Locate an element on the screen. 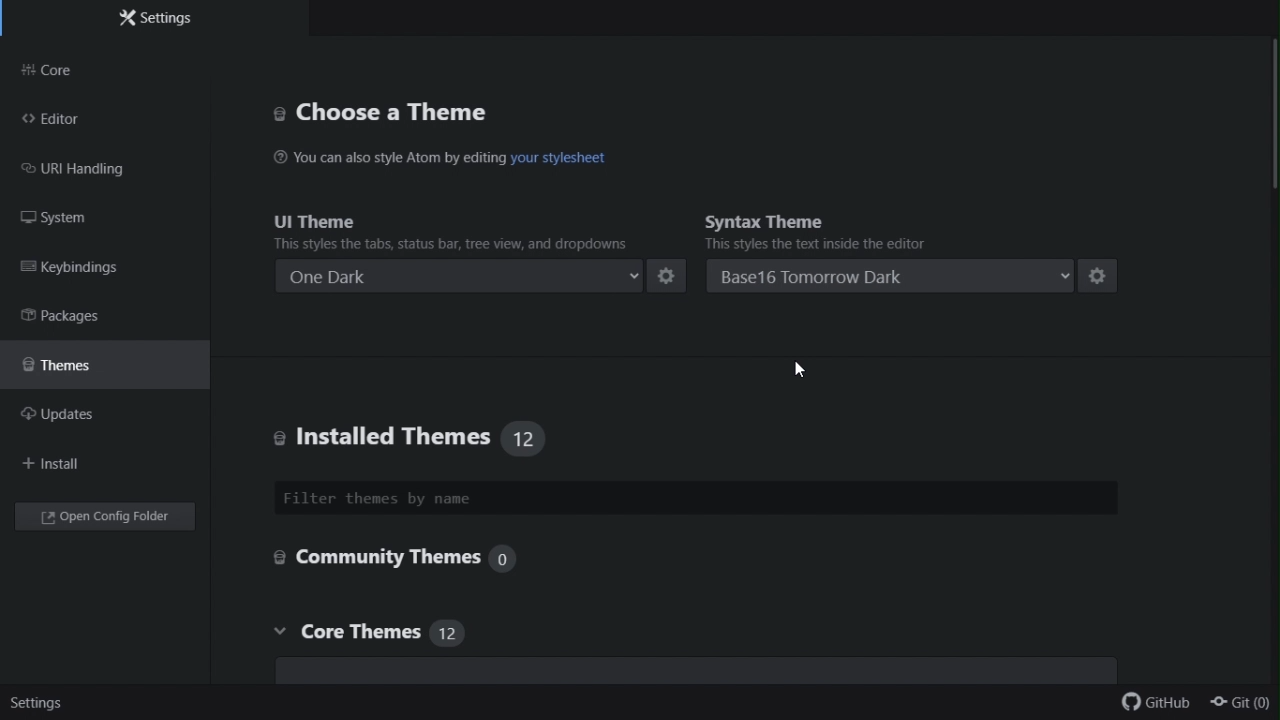 The image size is (1280, 720). updates is located at coordinates (72, 417).